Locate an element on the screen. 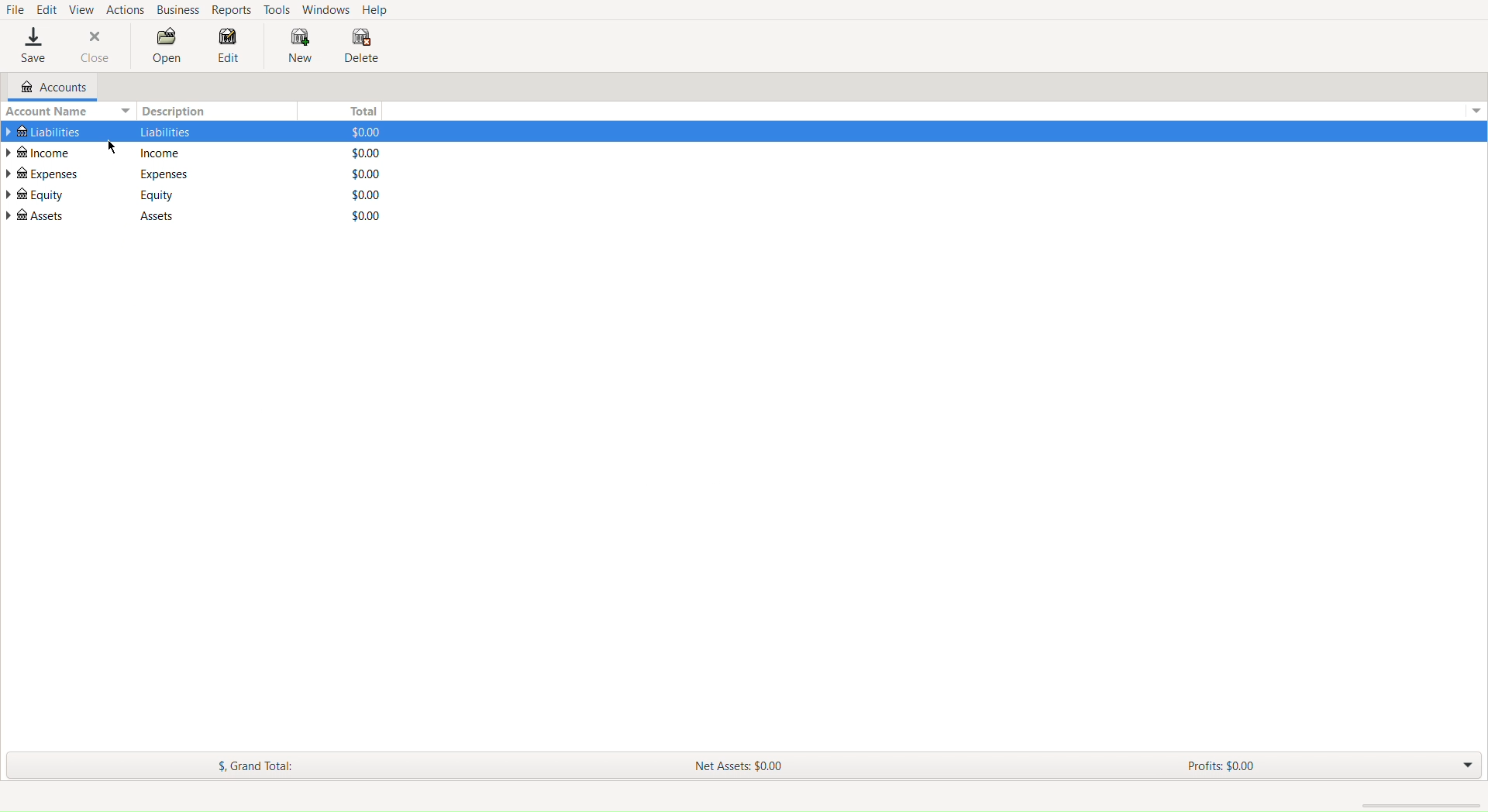 This screenshot has height=812, width=1488. Description is located at coordinates (166, 132).